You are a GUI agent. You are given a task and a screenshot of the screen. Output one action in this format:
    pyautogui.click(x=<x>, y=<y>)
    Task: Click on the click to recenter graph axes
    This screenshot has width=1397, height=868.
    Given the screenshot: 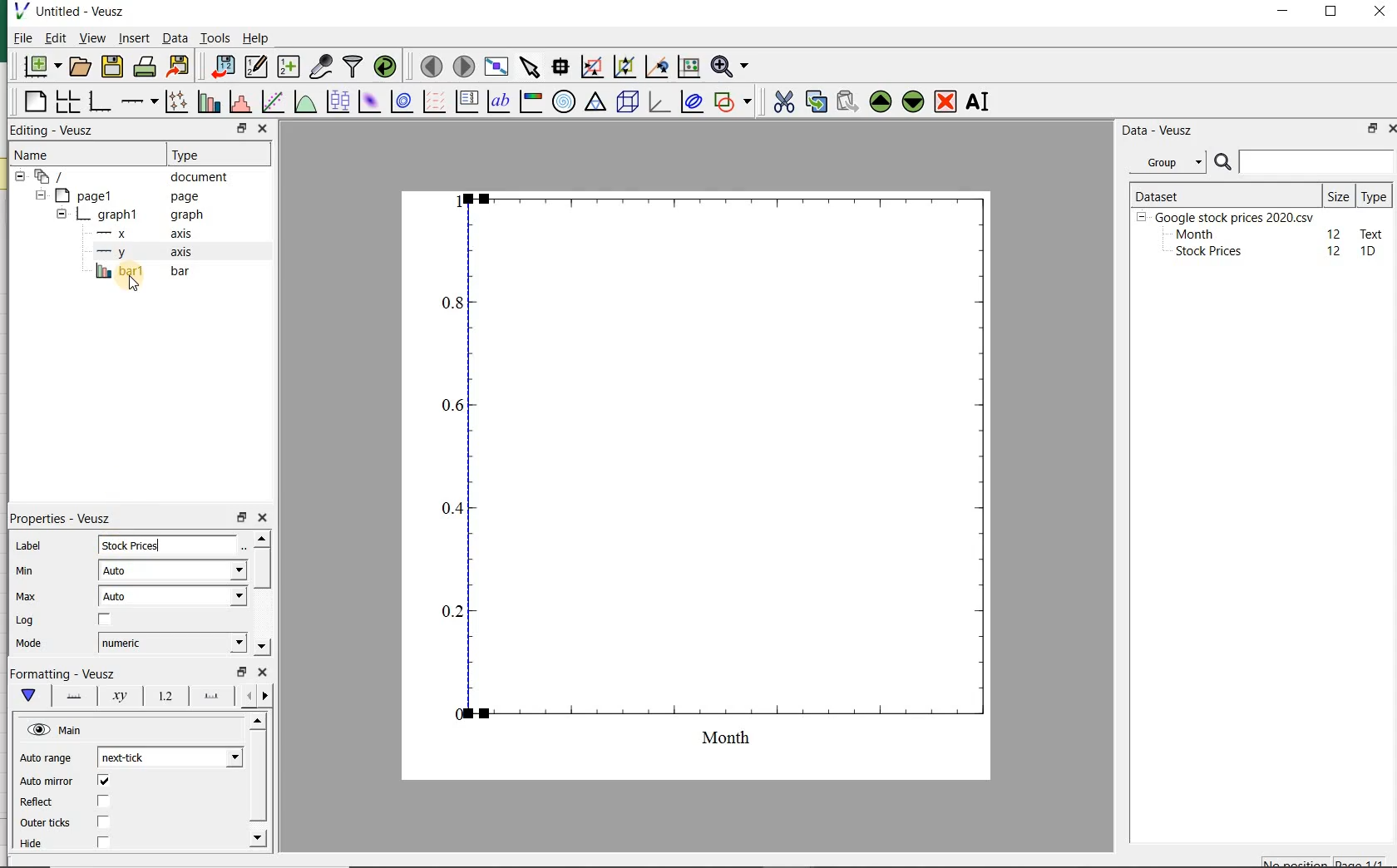 What is the action you would take?
    pyautogui.click(x=654, y=67)
    